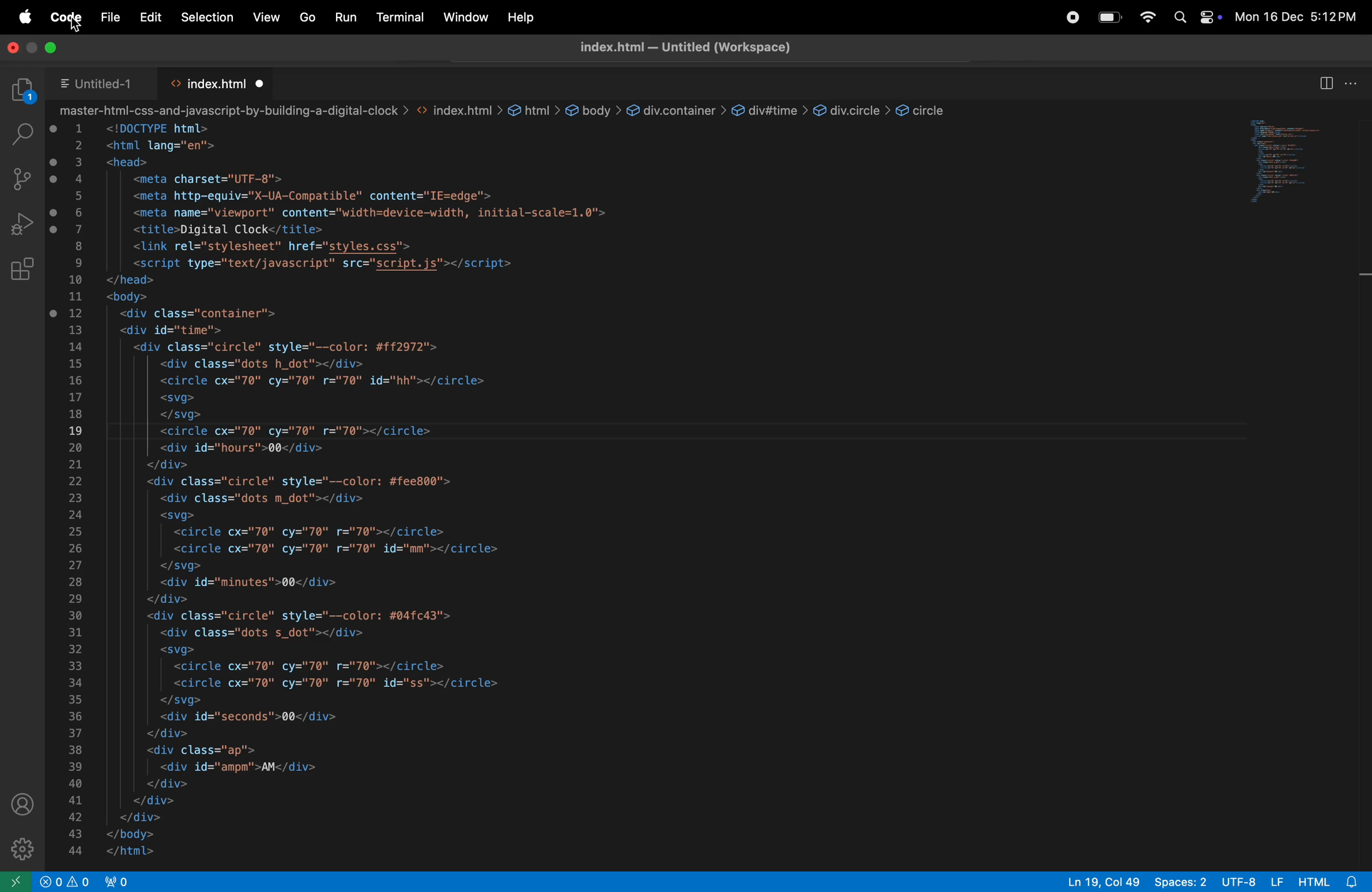 Image resolution: width=1372 pixels, height=892 pixels. I want to click on <head>, so click(124, 162).